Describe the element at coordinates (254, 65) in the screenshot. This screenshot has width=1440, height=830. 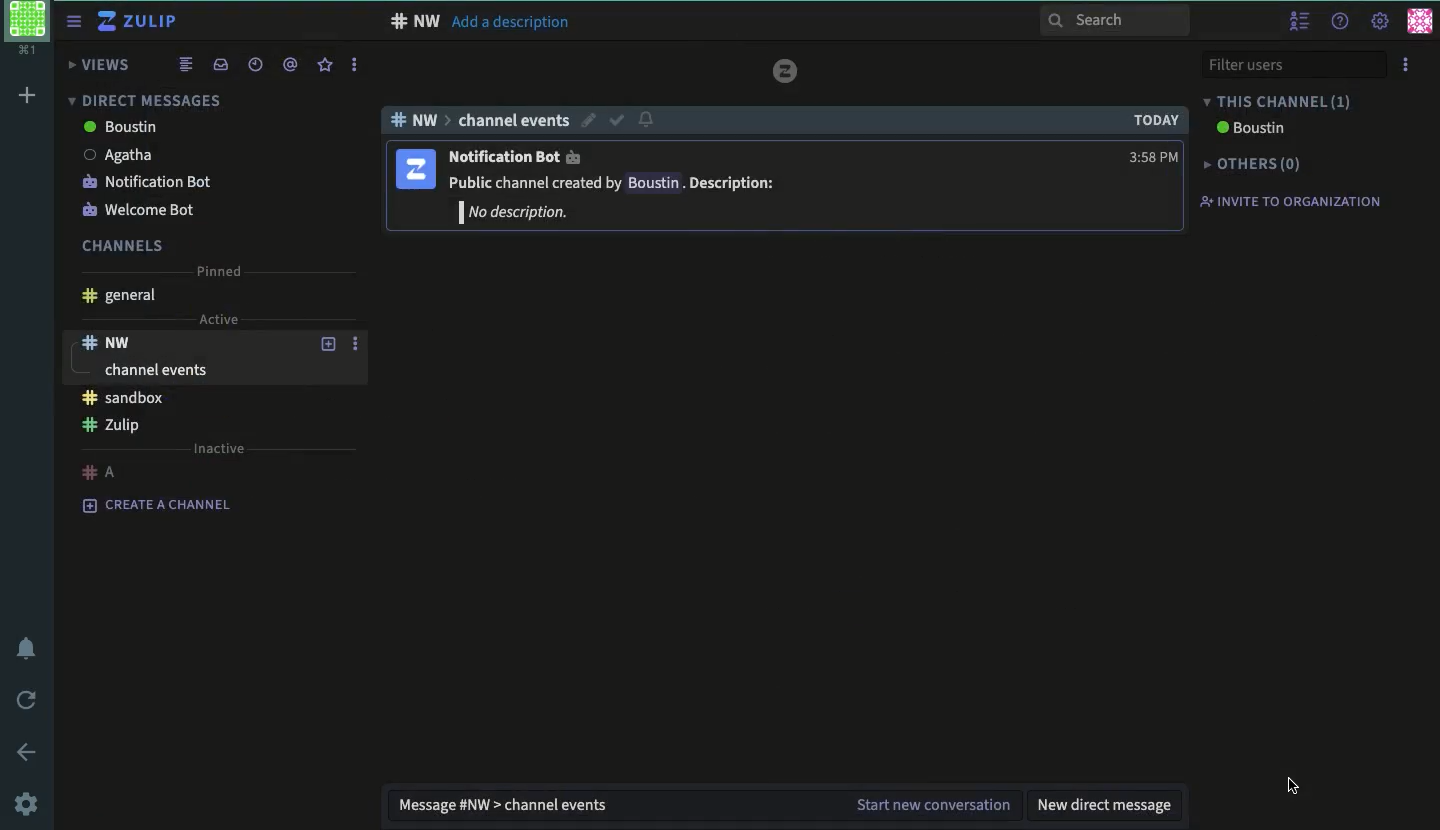
I see `recent conversation` at that location.